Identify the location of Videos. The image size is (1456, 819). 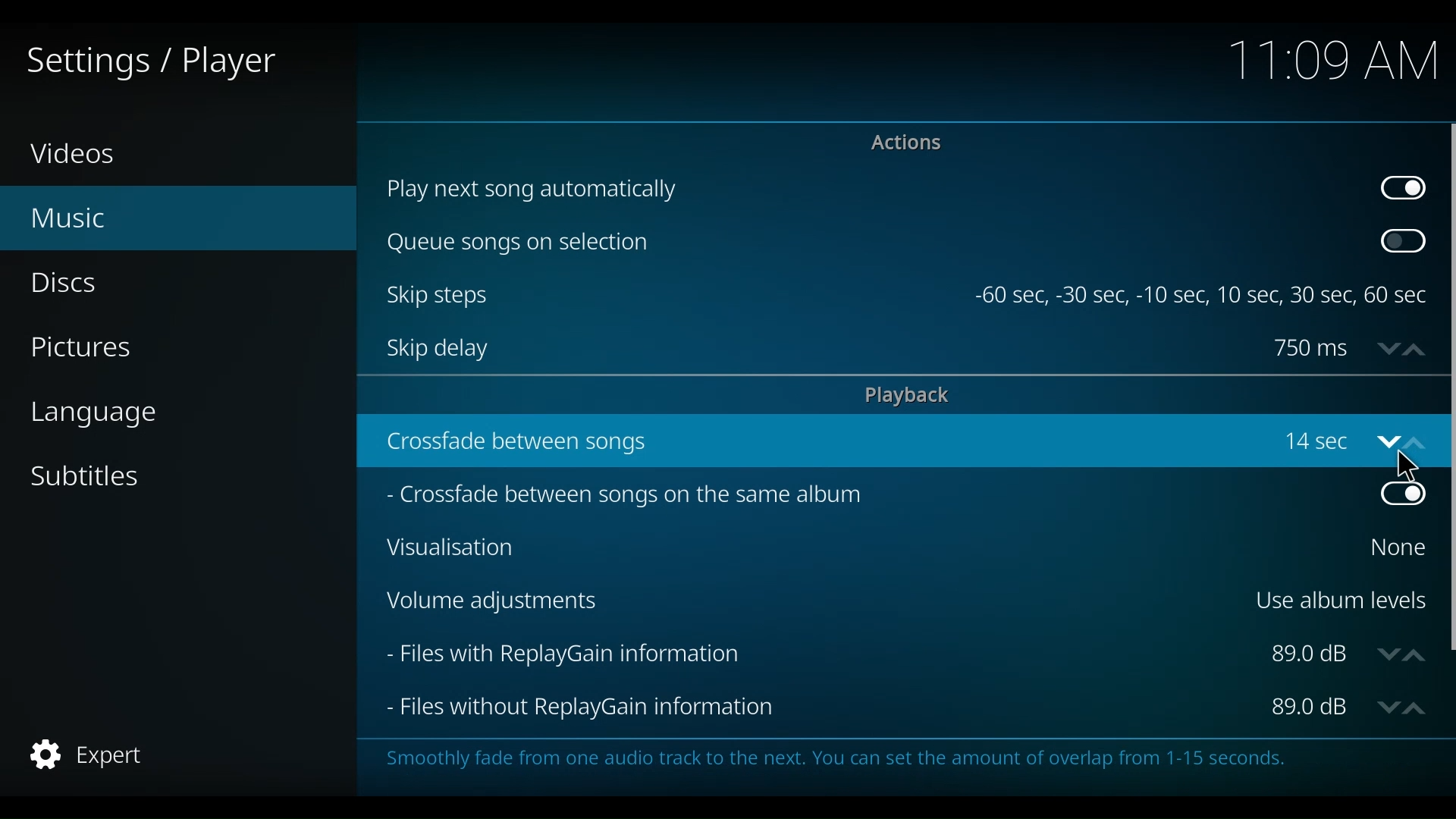
(80, 155).